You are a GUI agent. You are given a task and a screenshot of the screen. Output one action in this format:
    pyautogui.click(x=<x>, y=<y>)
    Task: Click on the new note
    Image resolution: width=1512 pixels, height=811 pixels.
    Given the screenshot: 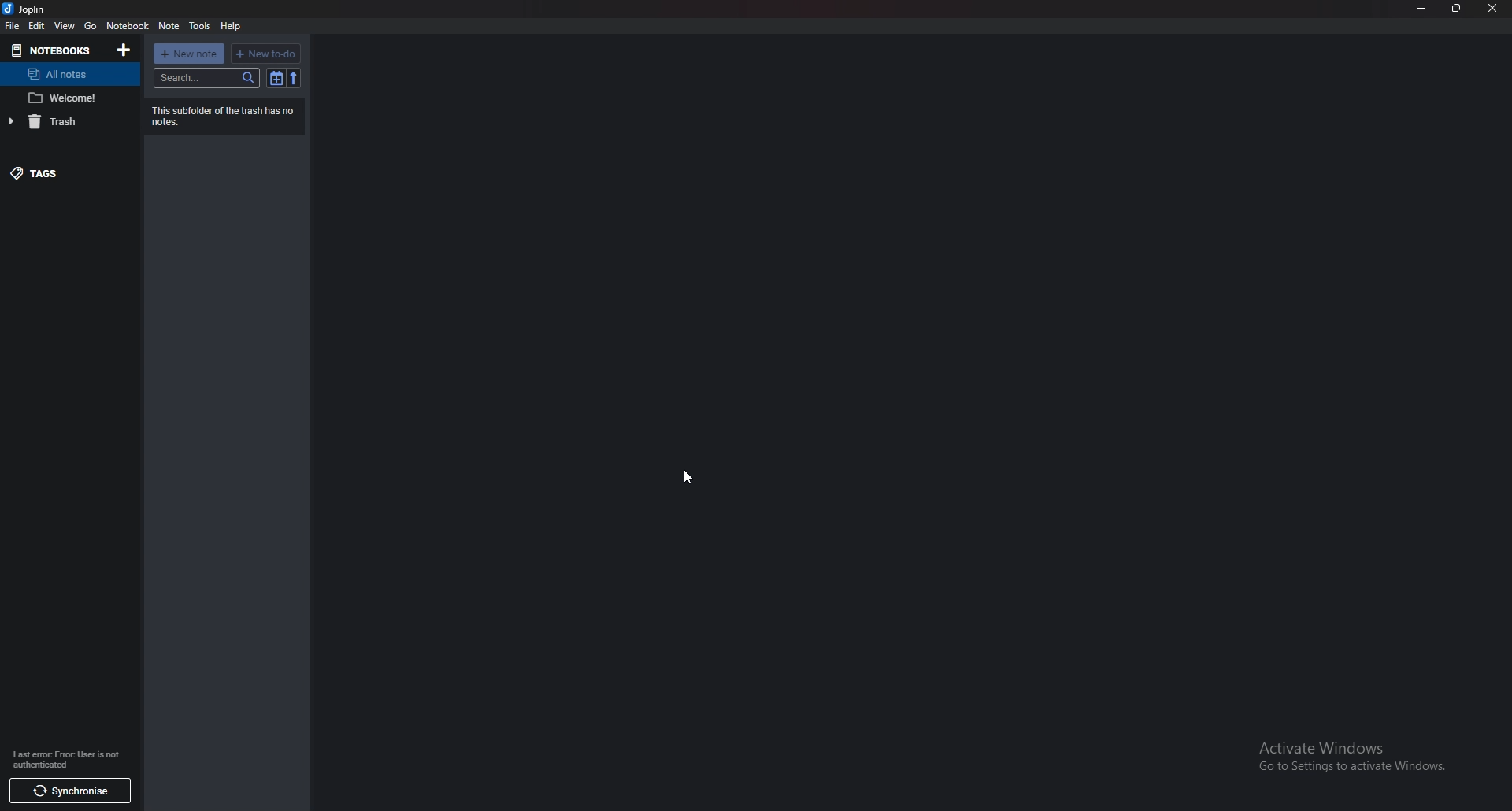 What is the action you would take?
    pyautogui.click(x=190, y=54)
    